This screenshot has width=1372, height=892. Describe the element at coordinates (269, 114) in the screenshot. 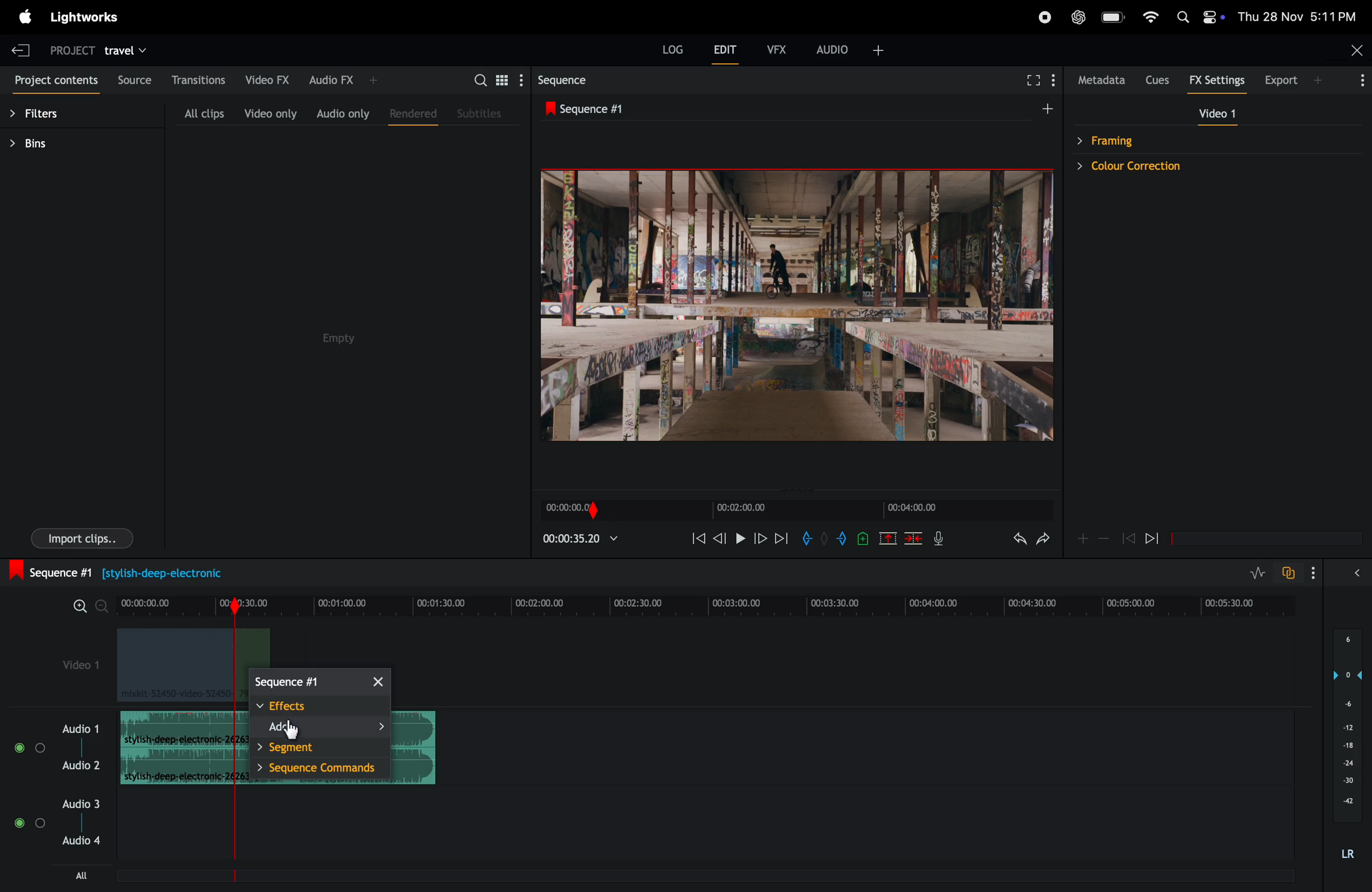

I see `video only` at that location.